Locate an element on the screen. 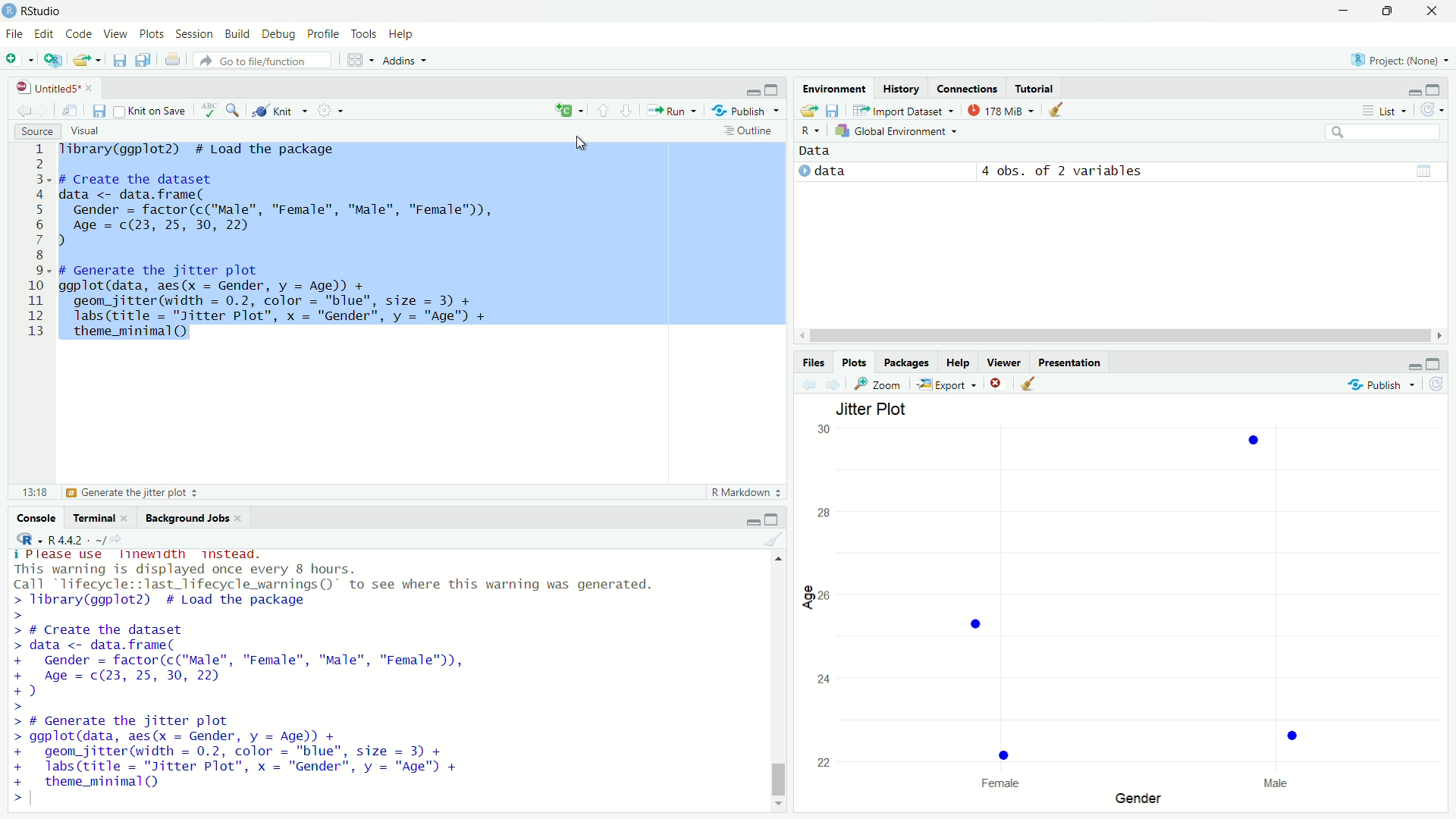 The image size is (1456, 819). save all open documents is located at coordinates (145, 58).